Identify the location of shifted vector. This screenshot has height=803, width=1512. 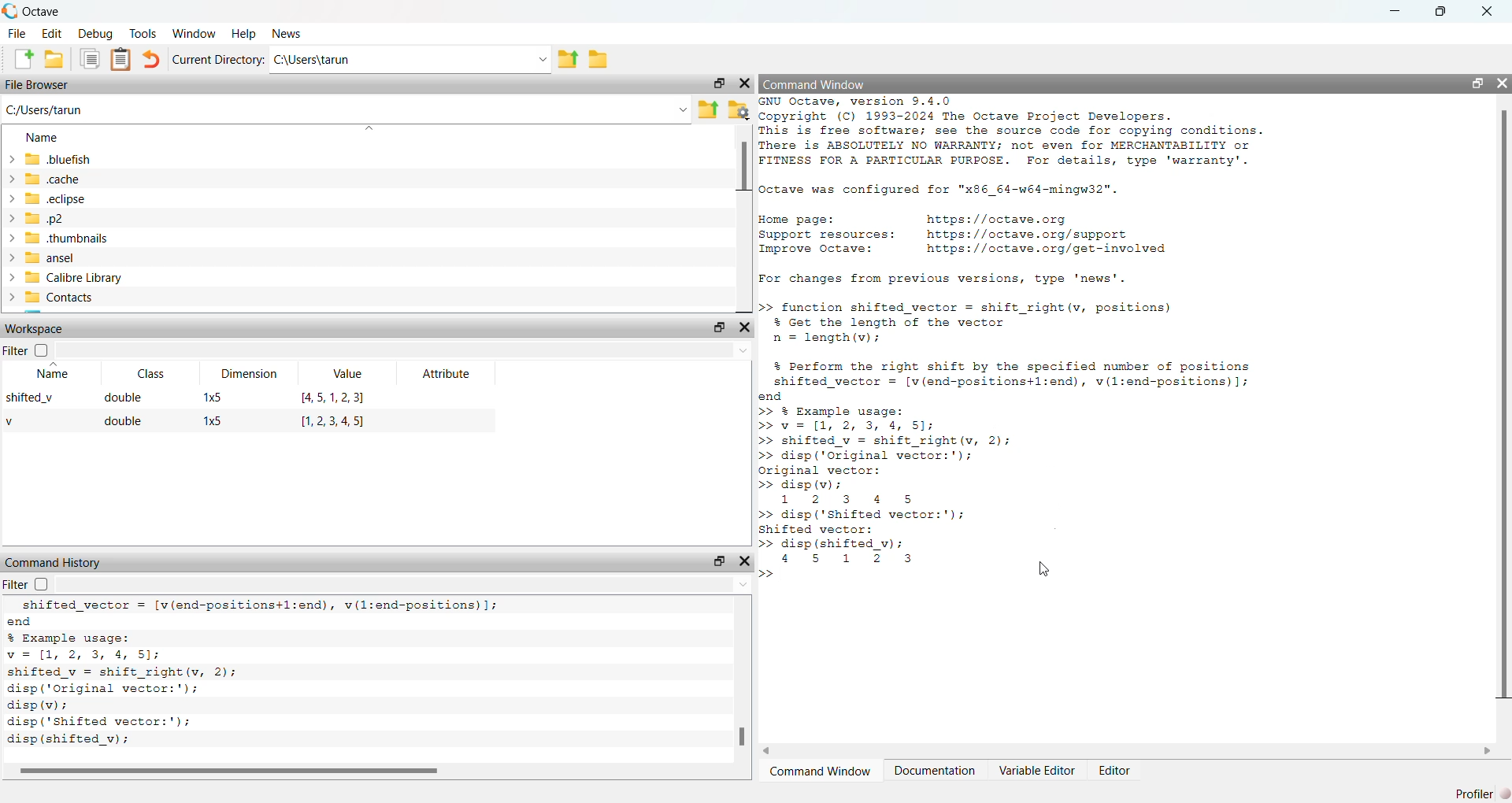
(258, 606).